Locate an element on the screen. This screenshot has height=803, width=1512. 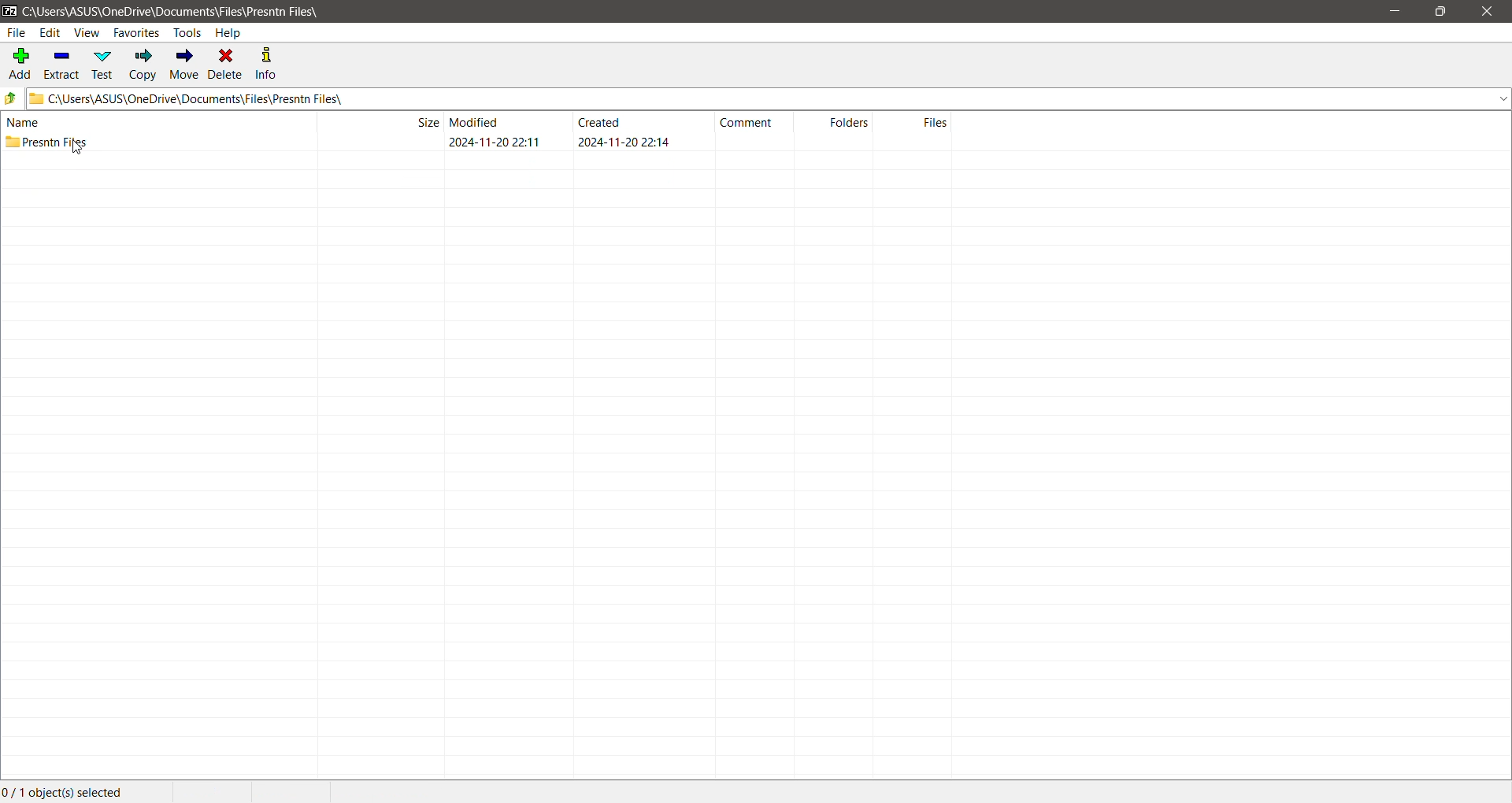
Minimize is located at coordinates (1399, 12).